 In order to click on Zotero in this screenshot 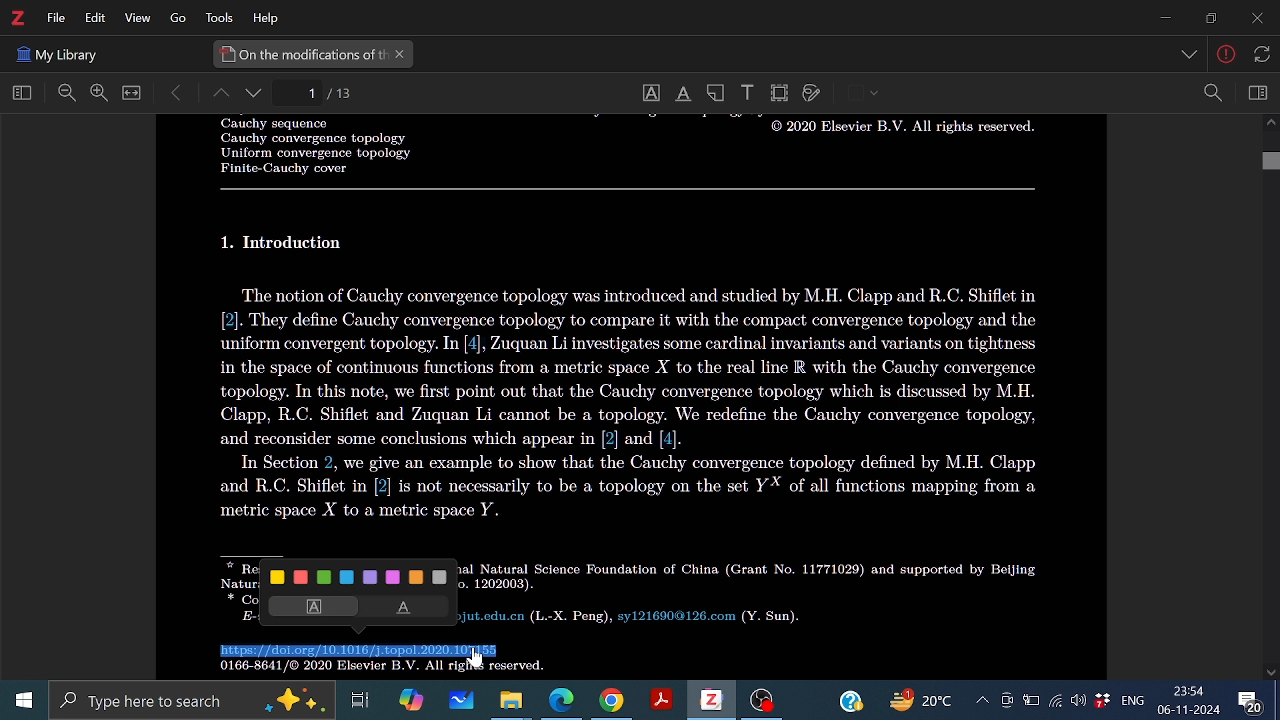, I will do `click(17, 18)`.